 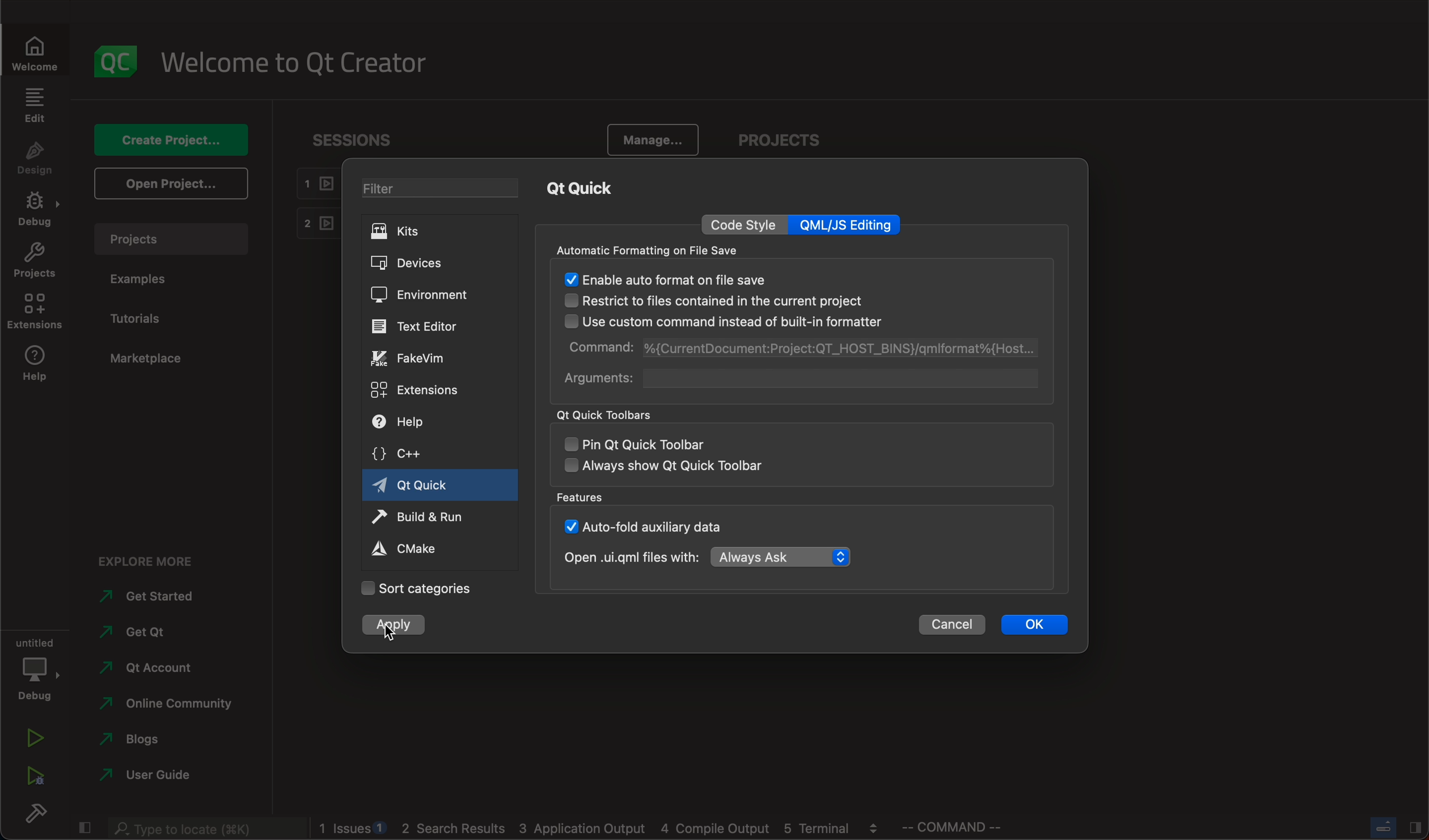 I want to click on editor, so click(x=420, y=326).